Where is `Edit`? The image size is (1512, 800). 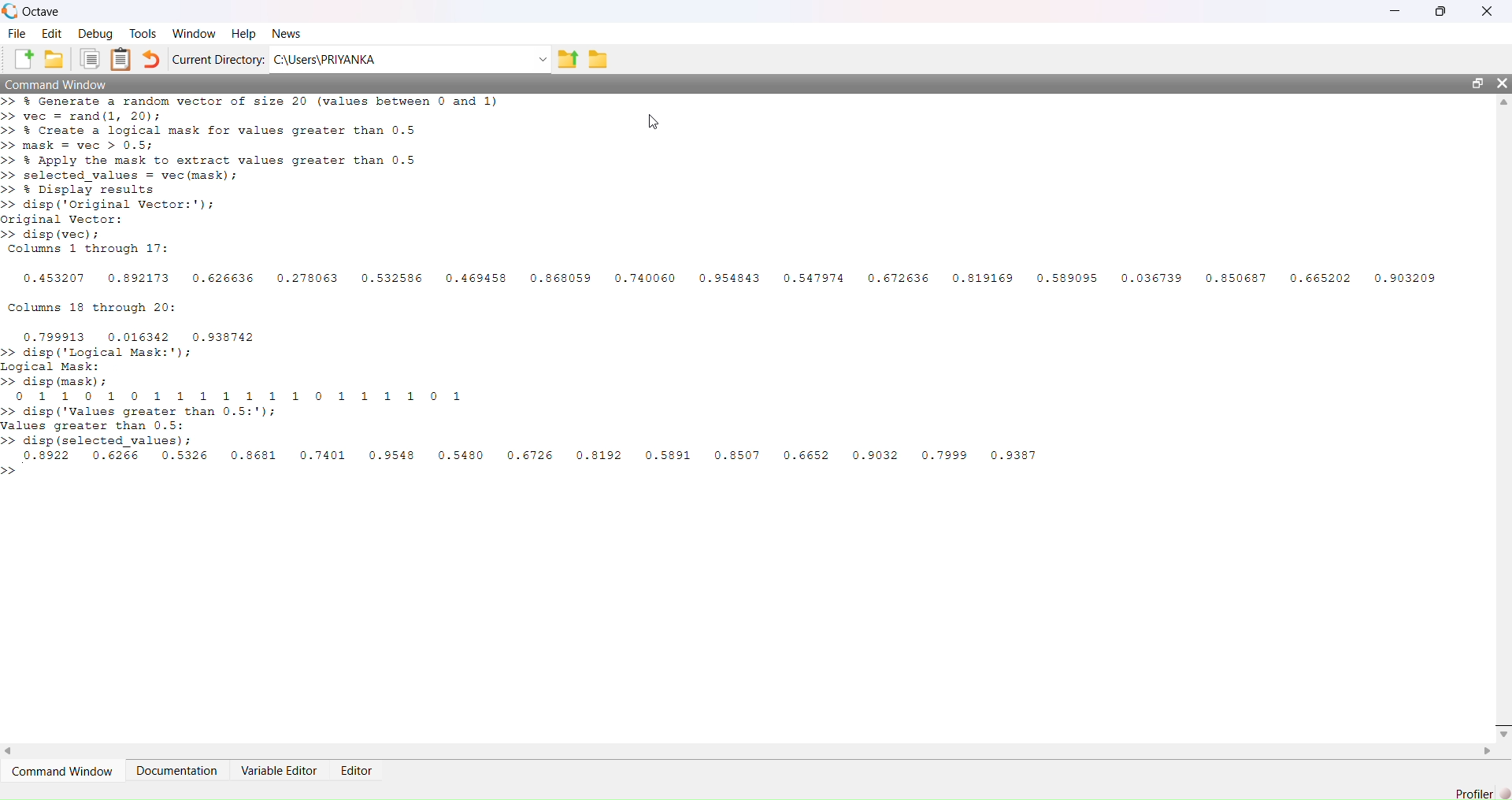 Edit is located at coordinates (52, 33).